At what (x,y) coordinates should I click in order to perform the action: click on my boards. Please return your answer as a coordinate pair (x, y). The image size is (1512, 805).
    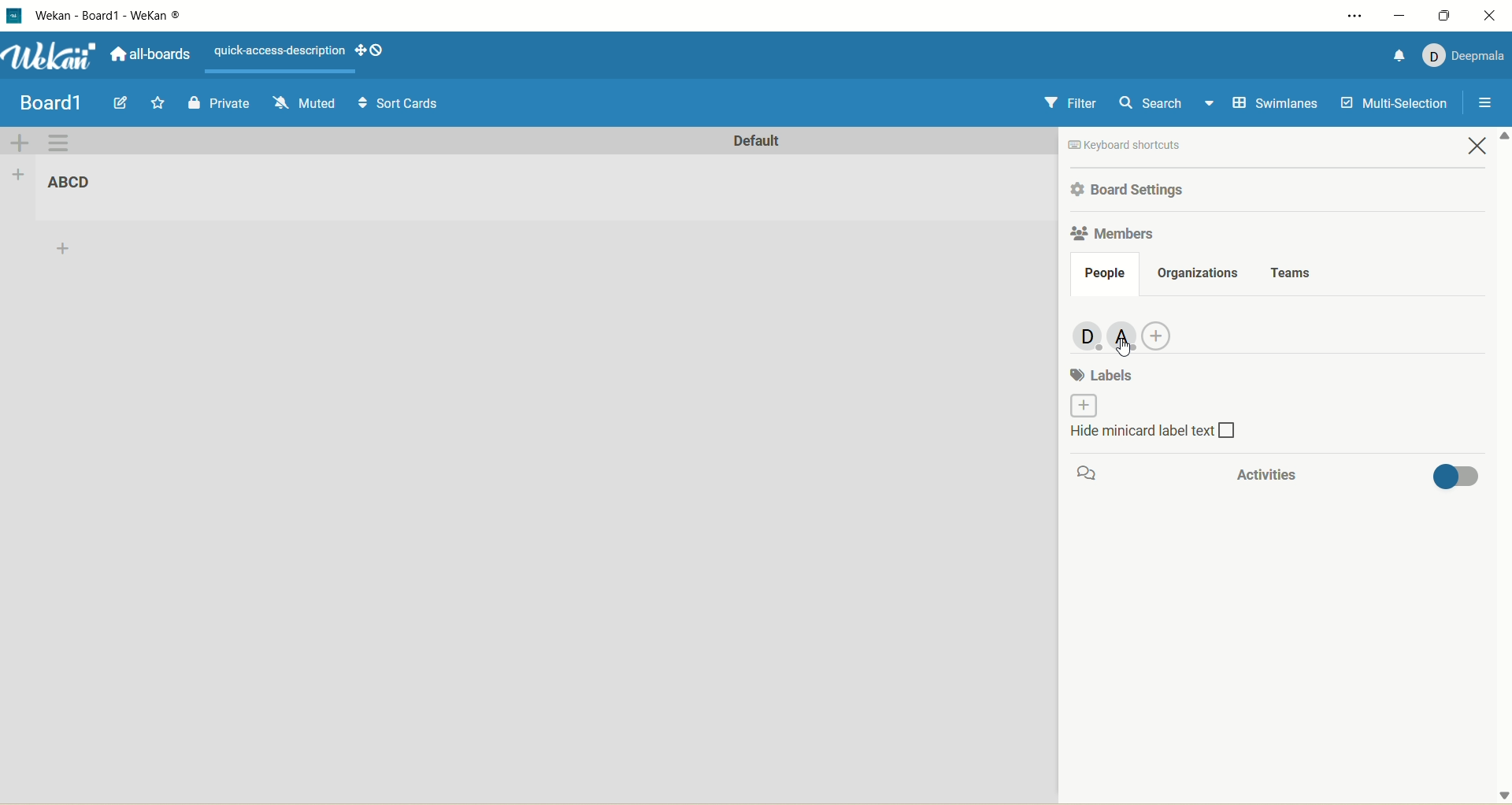
    Looking at the image, I should click on (68, 100).